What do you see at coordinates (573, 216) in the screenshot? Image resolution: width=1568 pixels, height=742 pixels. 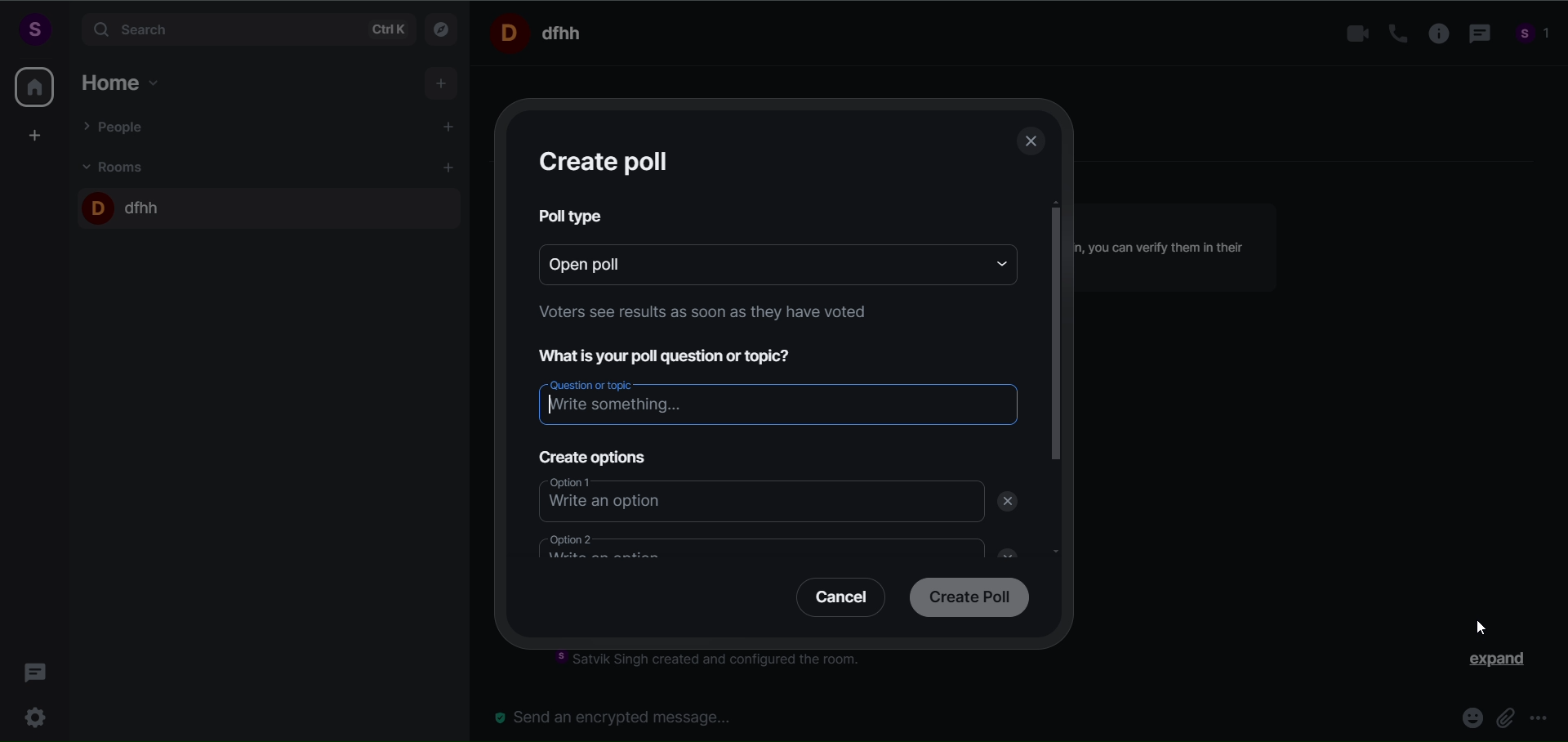 I see `poll type` at bounding box center [573, 216].